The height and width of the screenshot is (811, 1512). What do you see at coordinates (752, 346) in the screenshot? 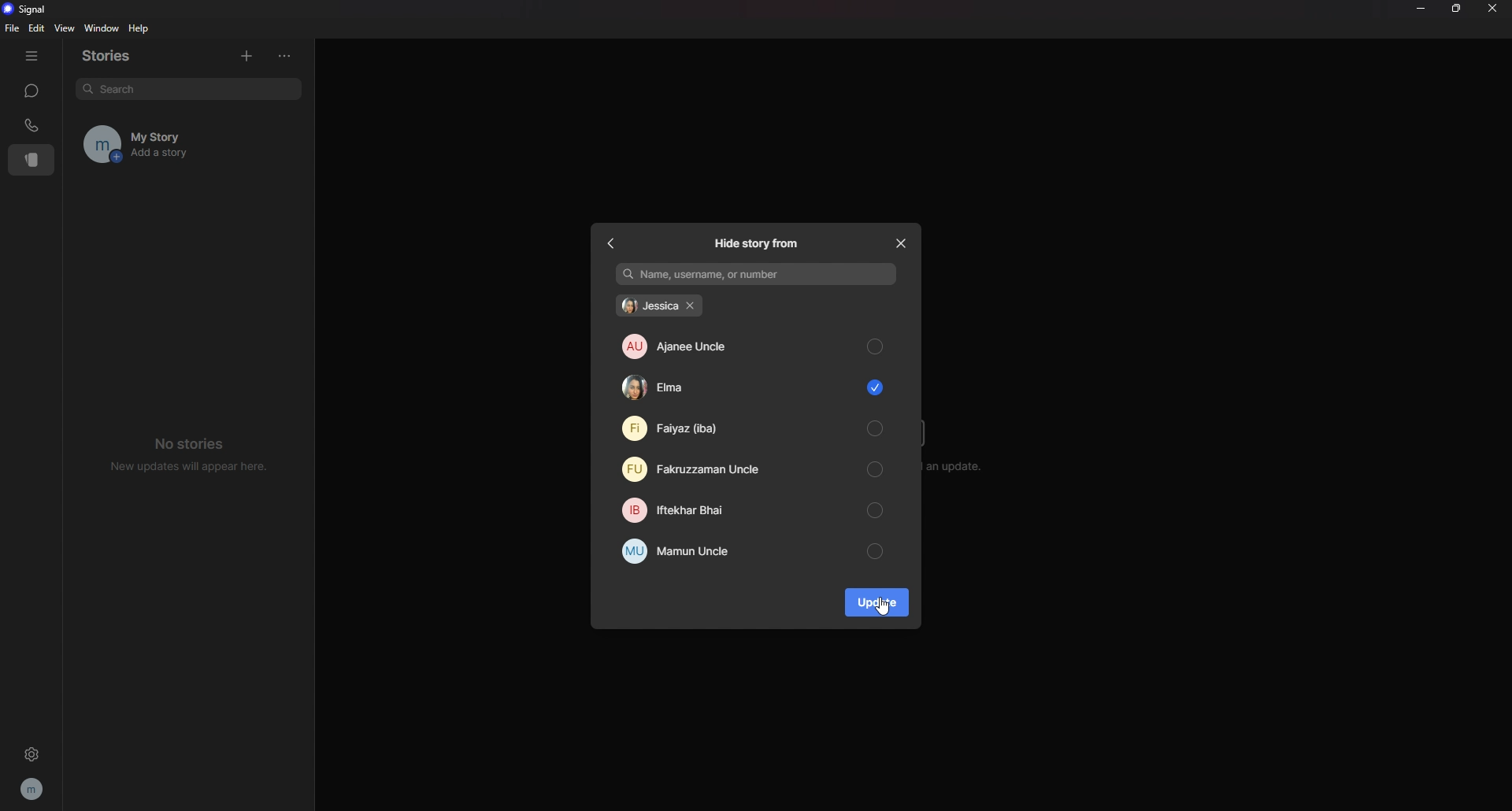
I see `ajanee uncle` at bounding box center [752, 346].